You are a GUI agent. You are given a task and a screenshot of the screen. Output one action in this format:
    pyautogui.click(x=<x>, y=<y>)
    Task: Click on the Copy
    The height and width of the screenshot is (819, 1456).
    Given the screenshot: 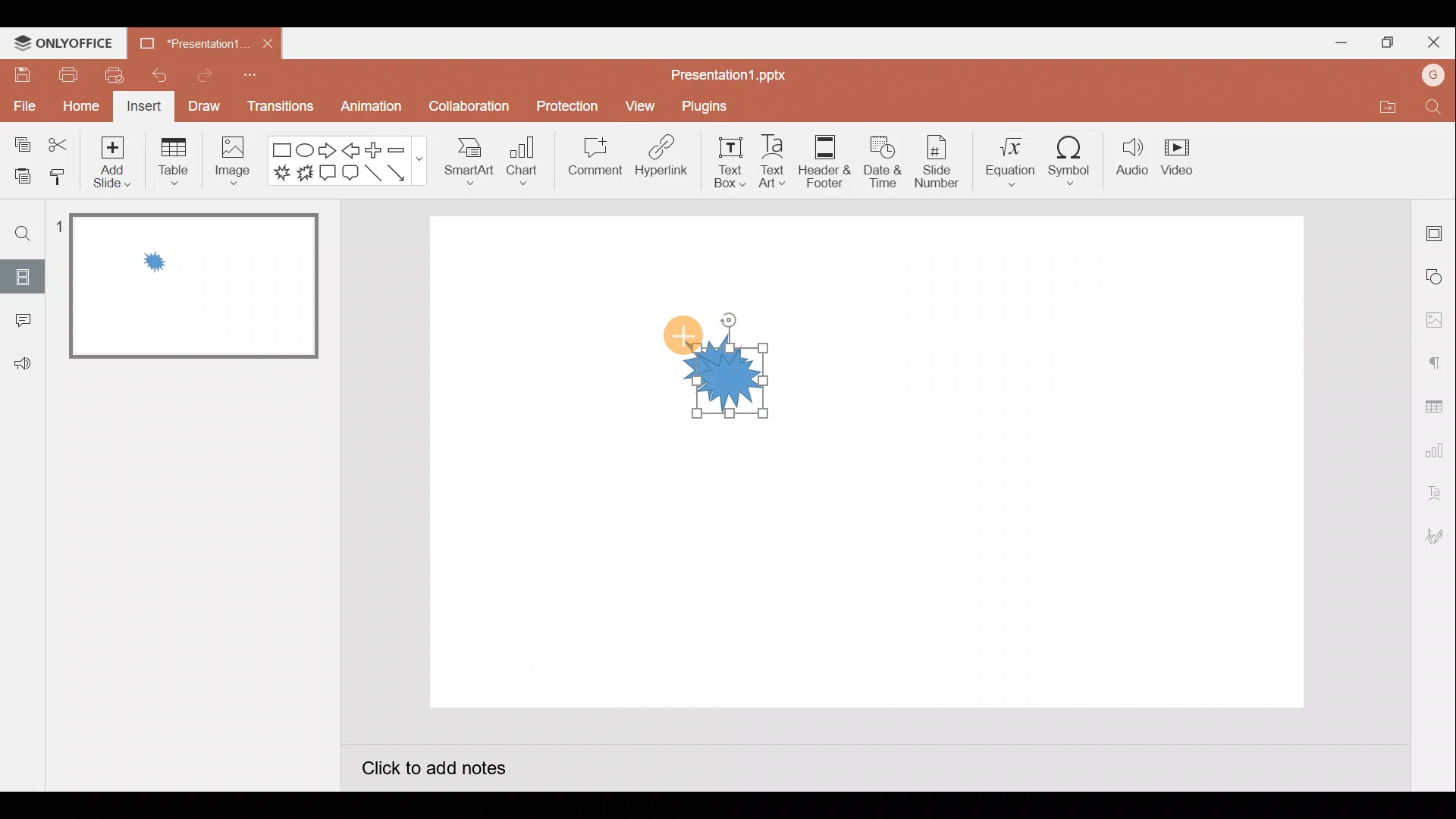 What is the action you would take?
    pyautogui.click(x=19, y=143)
    